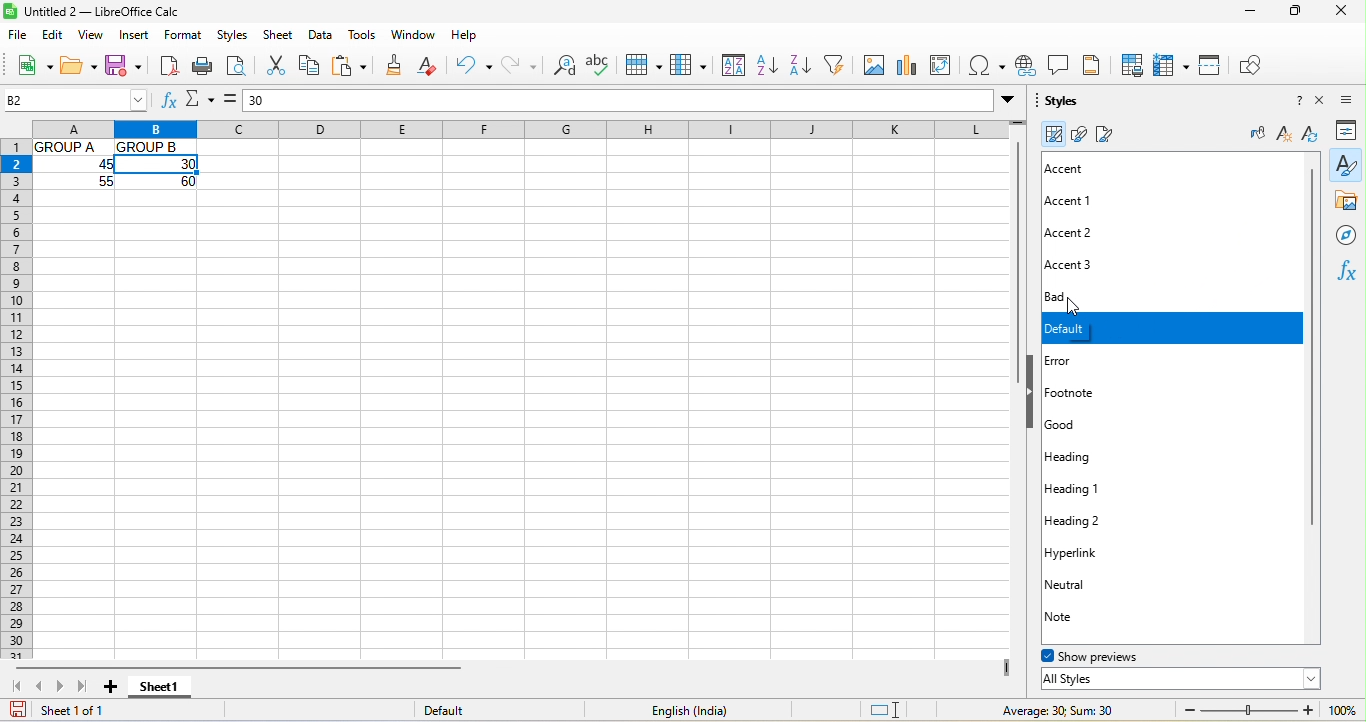 Image resolution: width=1366 pixels, height=722 pixels. What do you see at coordinates (1350, 130) in the screenshot?
I see `properties` at bounding box center [1350, 130].